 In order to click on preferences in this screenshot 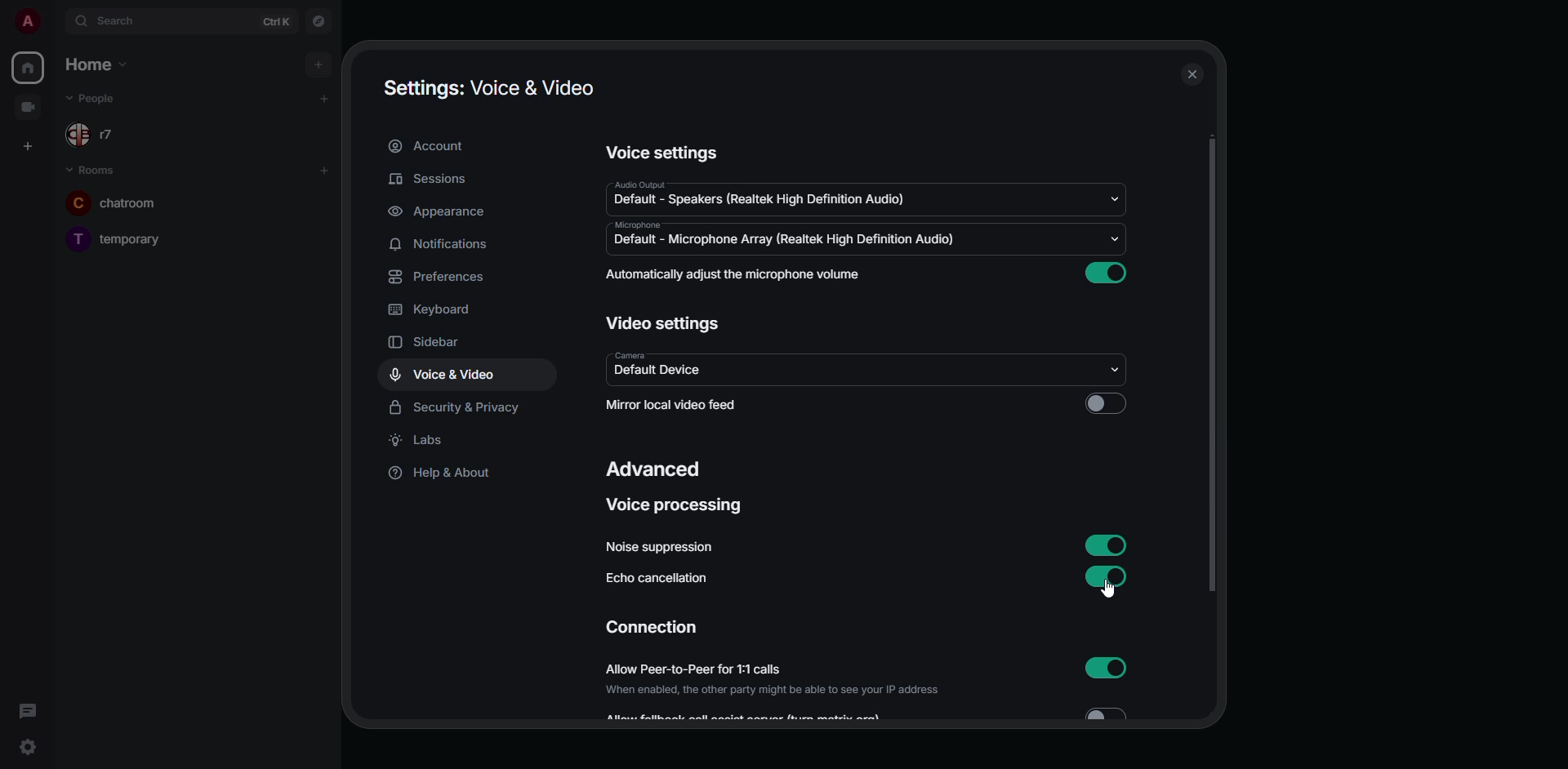, I will do `click(441, 277)`.